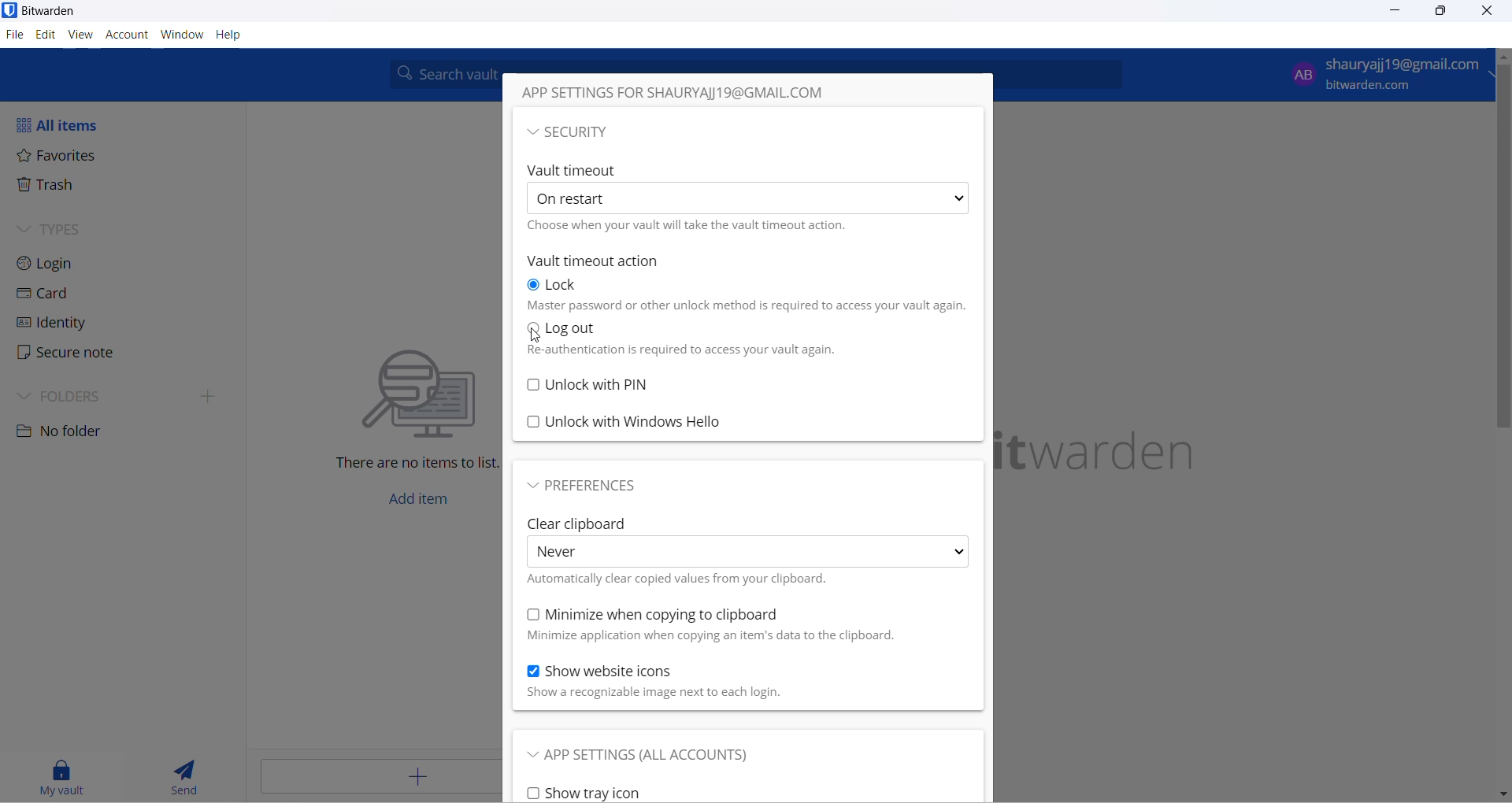  I want to click on add item button, so click(417, 502).